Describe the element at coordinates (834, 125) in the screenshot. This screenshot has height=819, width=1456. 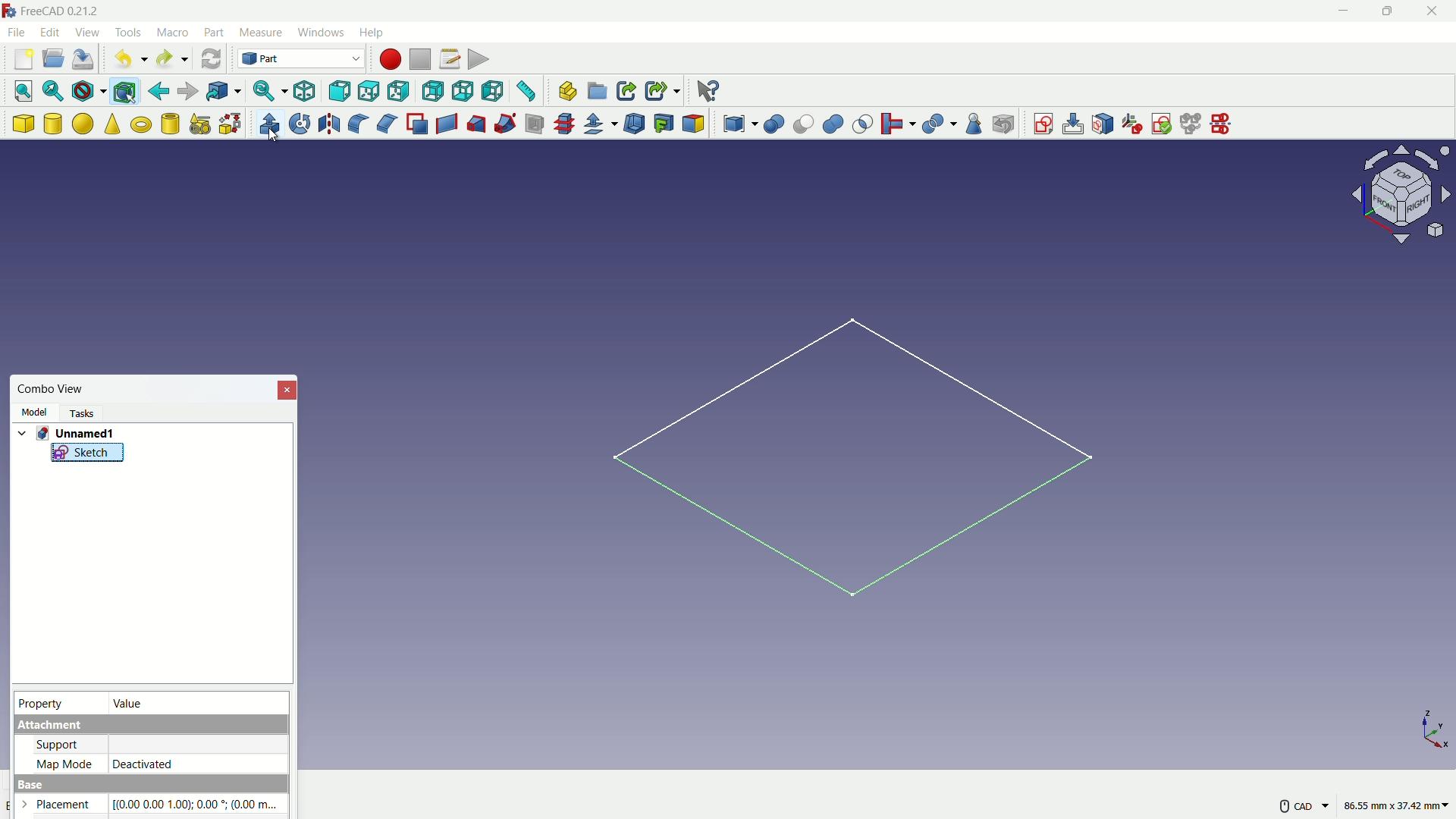
I see `union` at that location.